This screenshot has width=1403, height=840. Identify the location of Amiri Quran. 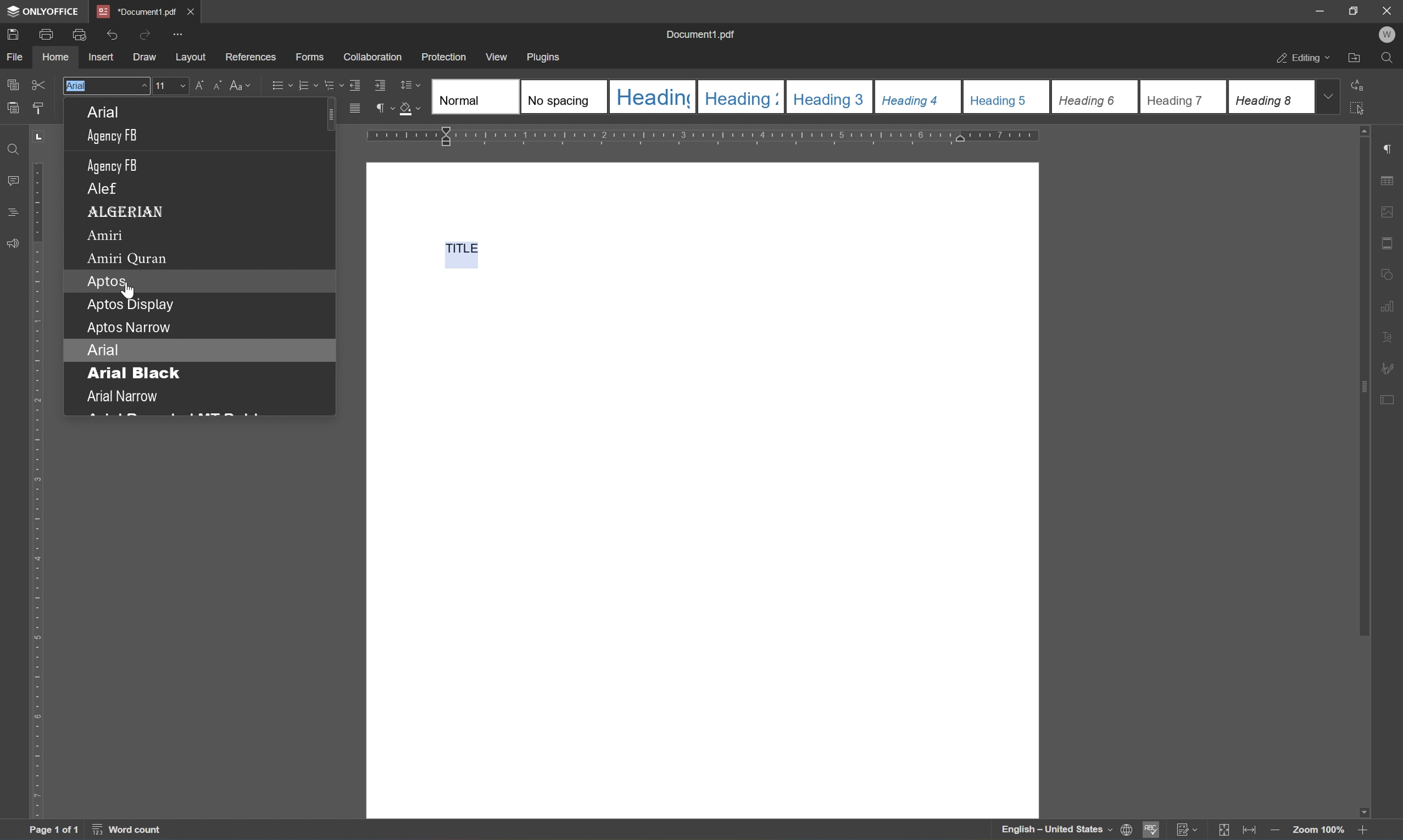
(131, 260).